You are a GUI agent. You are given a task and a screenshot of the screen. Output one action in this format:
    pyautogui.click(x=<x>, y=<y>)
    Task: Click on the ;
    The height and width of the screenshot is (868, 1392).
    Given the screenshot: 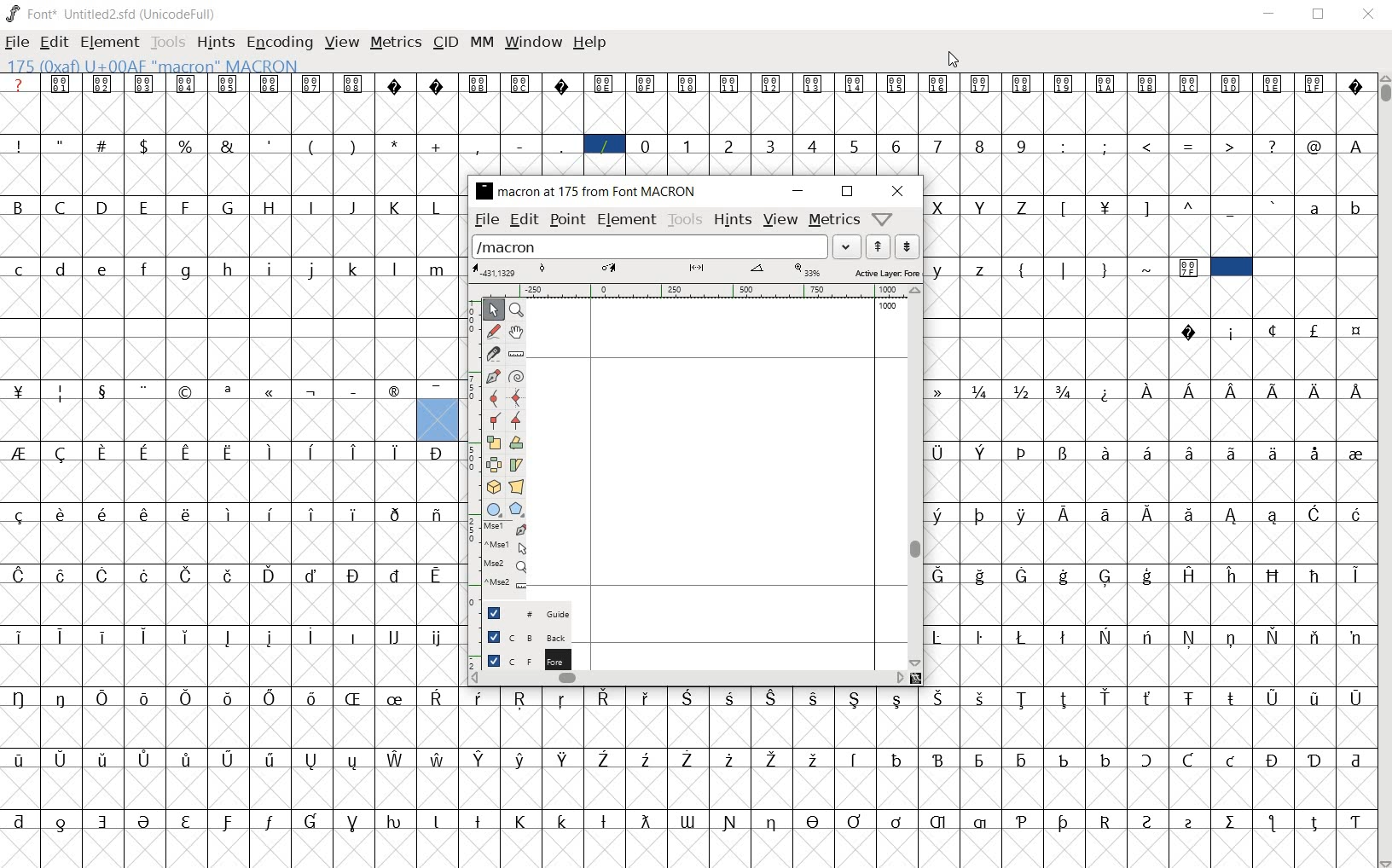 What is the action you would take?
    pyautogui.click(x=1106, y=146)
    